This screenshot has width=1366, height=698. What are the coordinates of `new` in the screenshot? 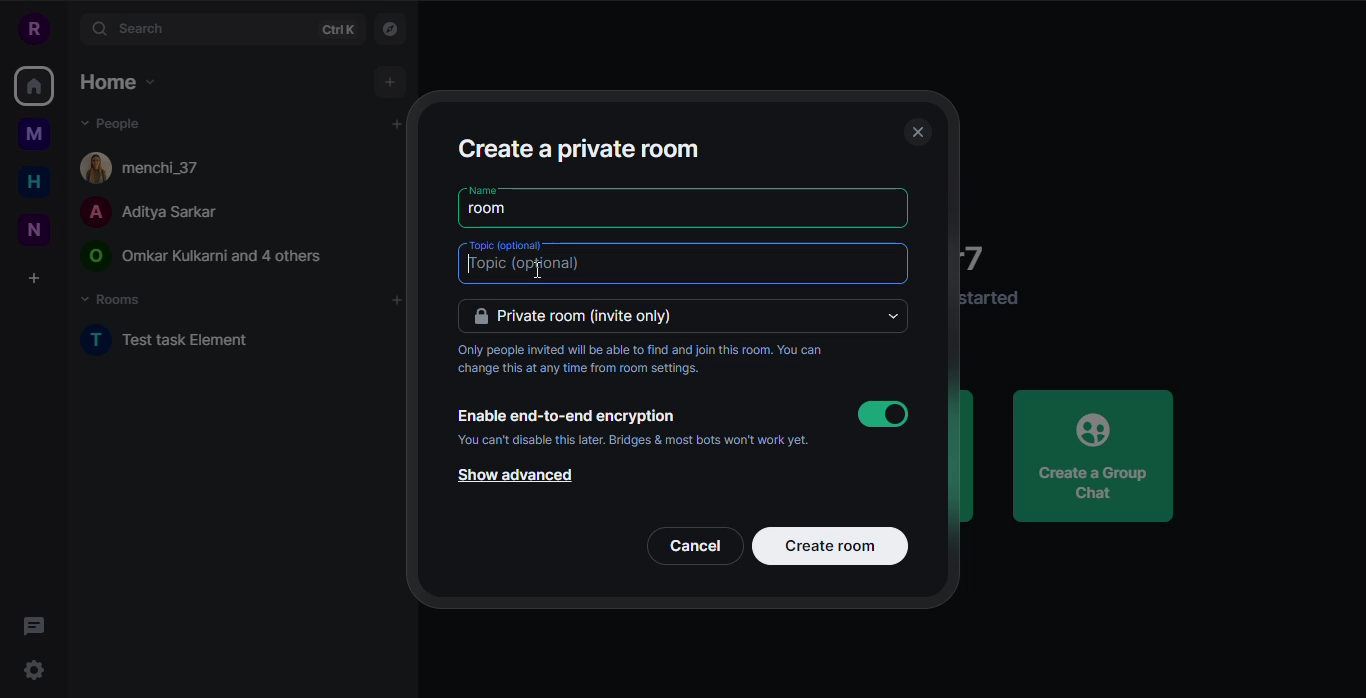 It's located at (35, 229).